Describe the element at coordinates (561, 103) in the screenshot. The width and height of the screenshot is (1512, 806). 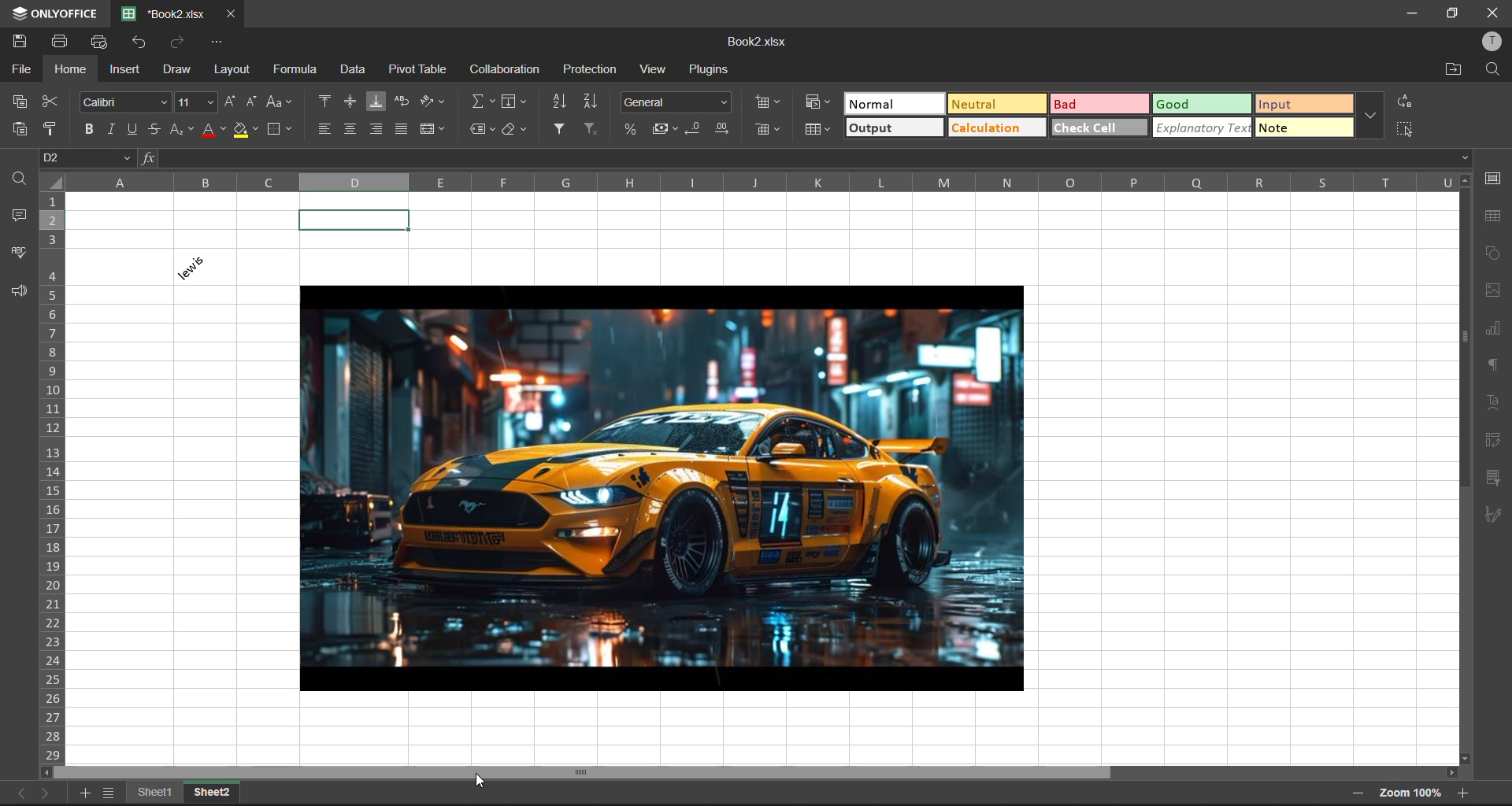
I see `sort ascending` at that location.